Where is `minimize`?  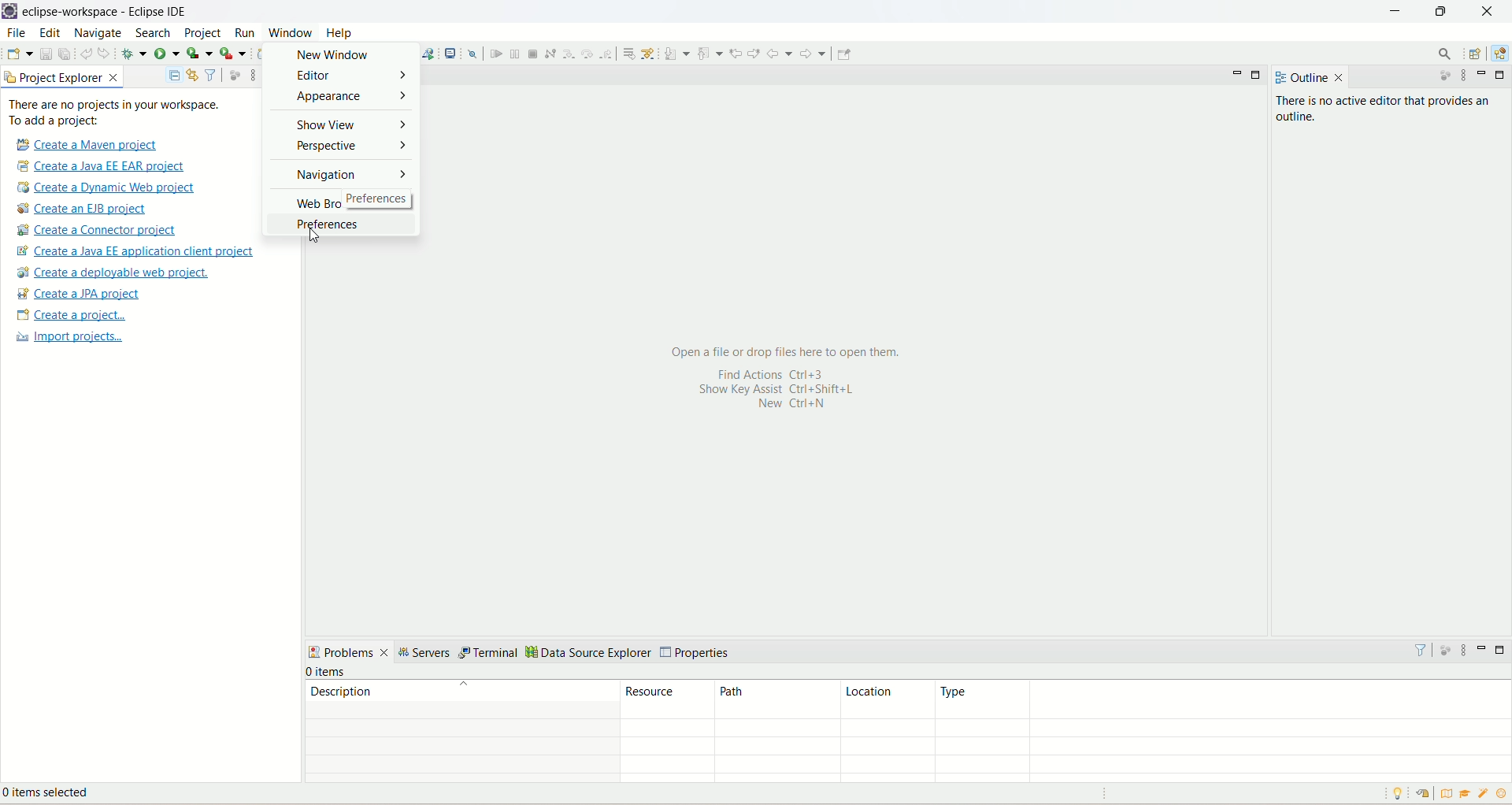 minimize is located at coordinates (1484, 74).